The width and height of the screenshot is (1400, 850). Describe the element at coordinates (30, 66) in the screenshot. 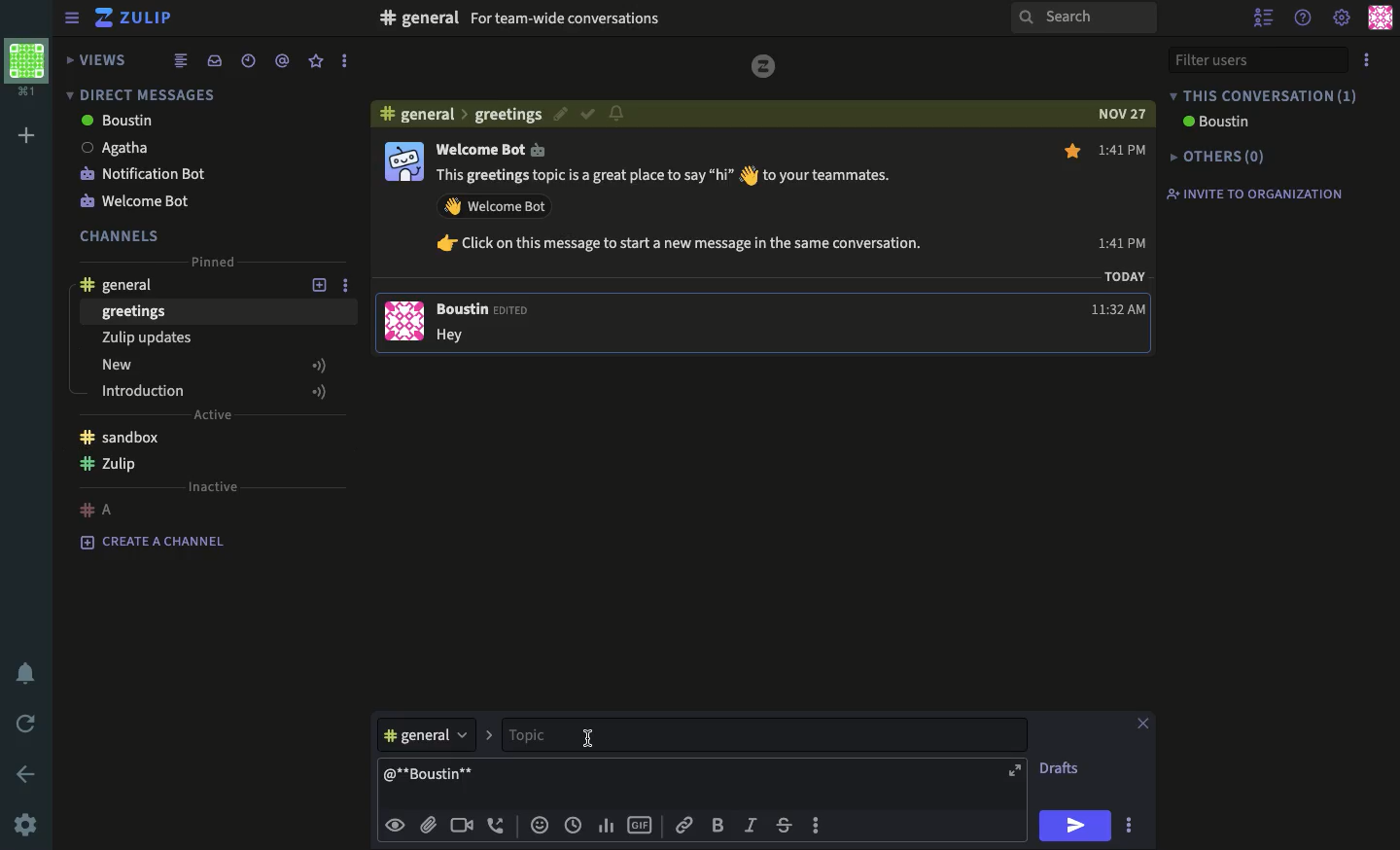

I see `workspace` at that location.